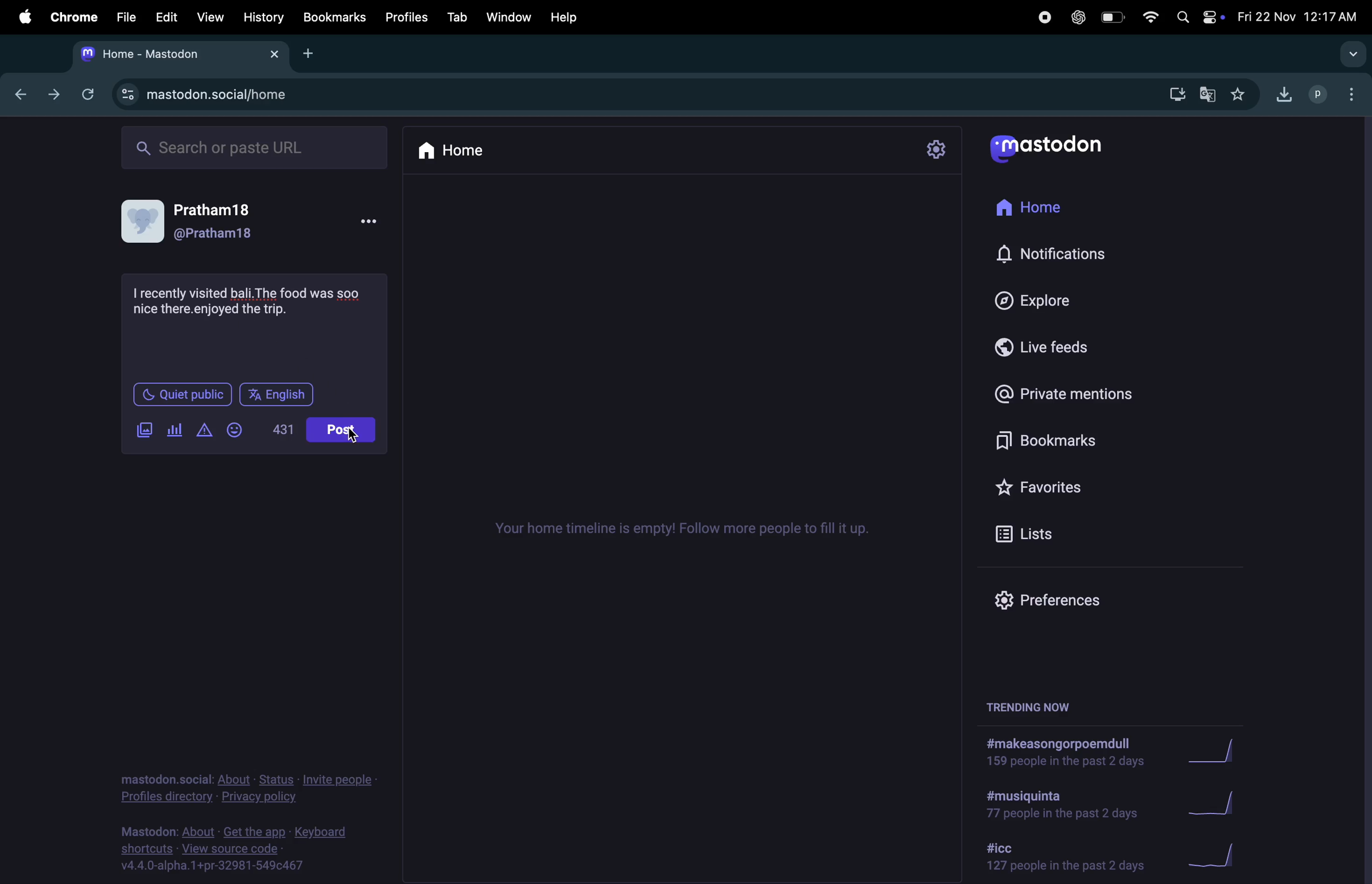  What do you see at coordinates (211, 17) in the screenshot?
I see `view` at bounding box center [211, 17].